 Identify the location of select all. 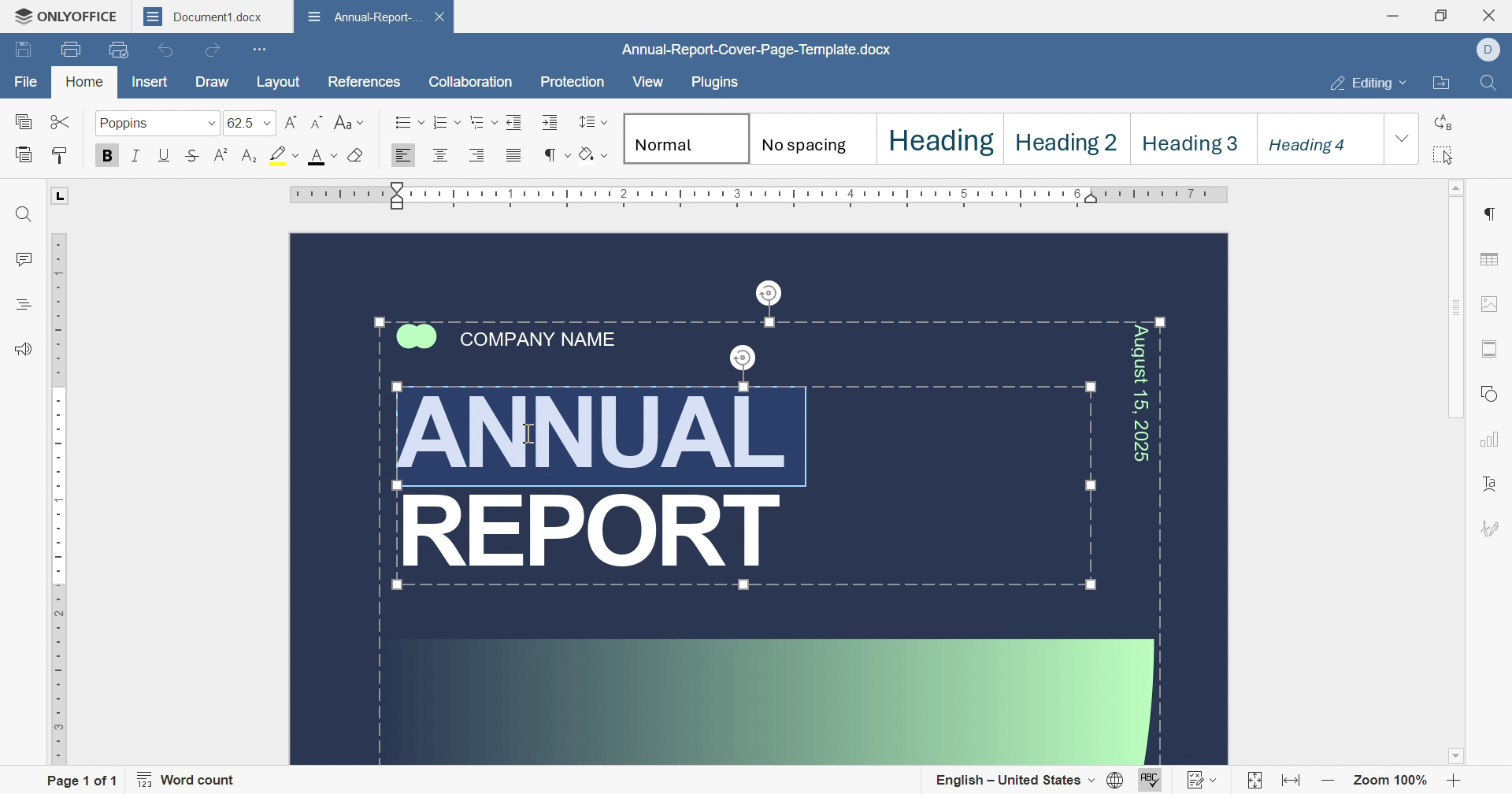
(1442, 156).